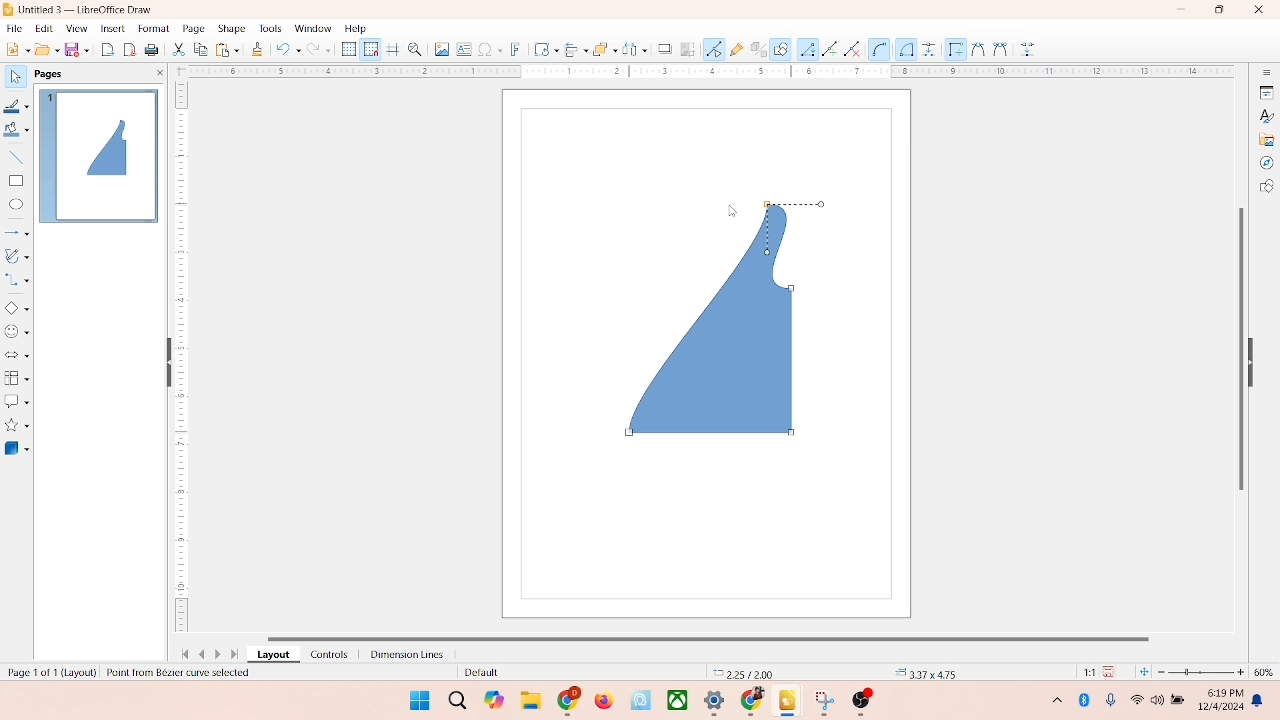 This screenshot has width=1280, height=720. I want to click on Line tool, so click(807, 48).